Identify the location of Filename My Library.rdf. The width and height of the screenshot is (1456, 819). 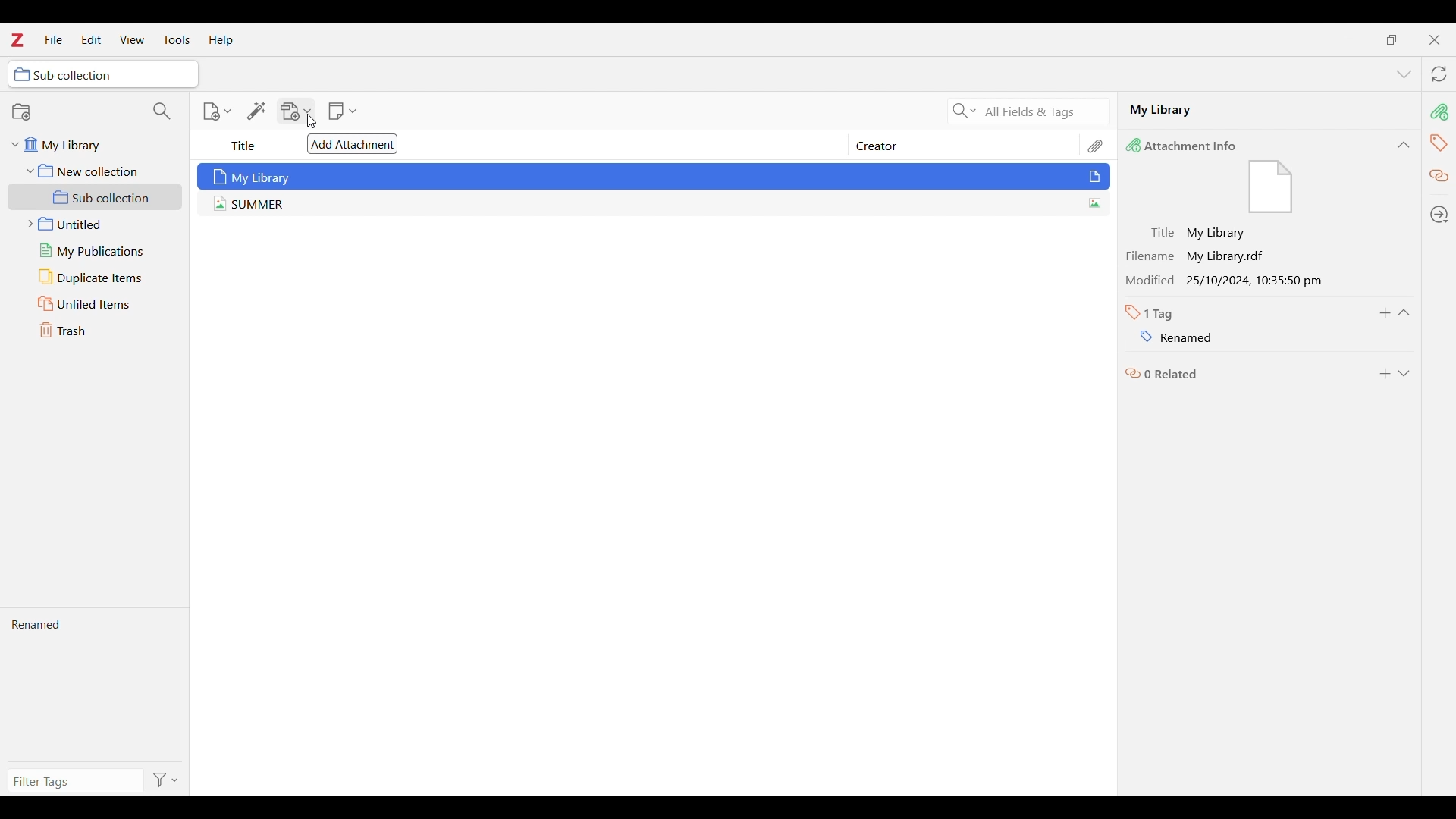
(1203, 253).